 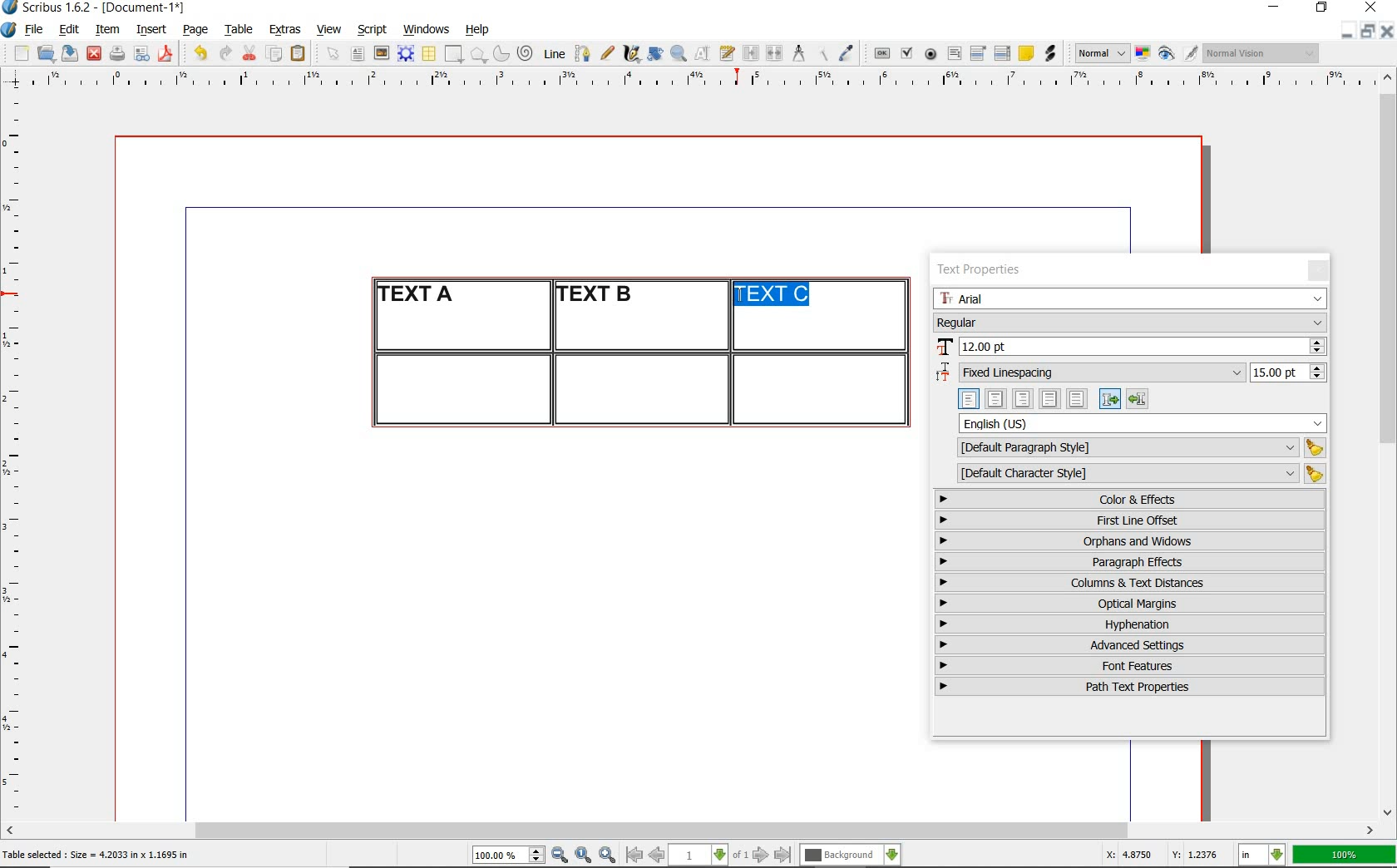 What do you see at coordinates (1130, 665) in the screenshot?
I see `font features` at bounding box center [1130, 665].